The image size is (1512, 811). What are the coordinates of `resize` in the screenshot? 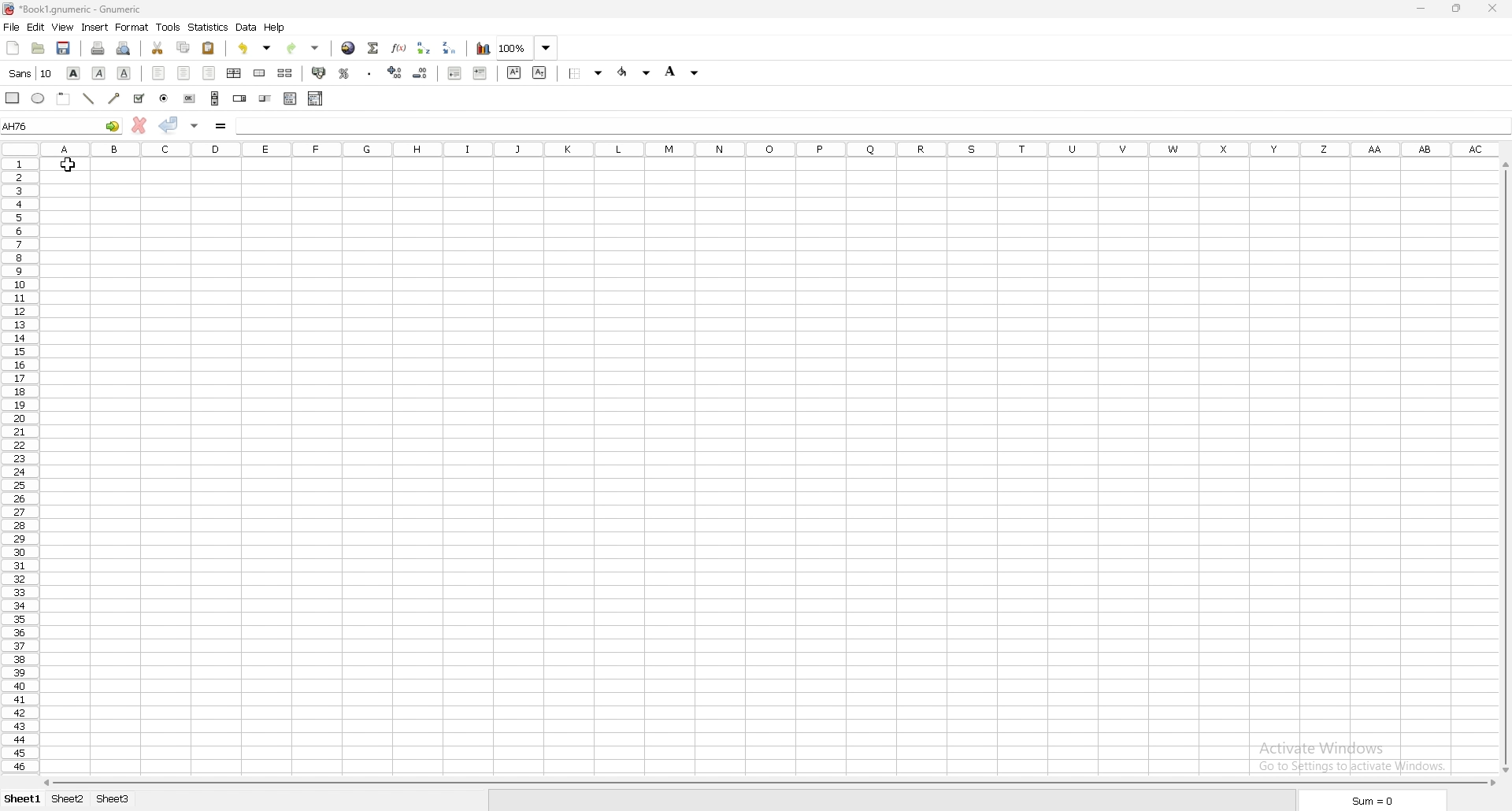 It's located at (1456, 9).